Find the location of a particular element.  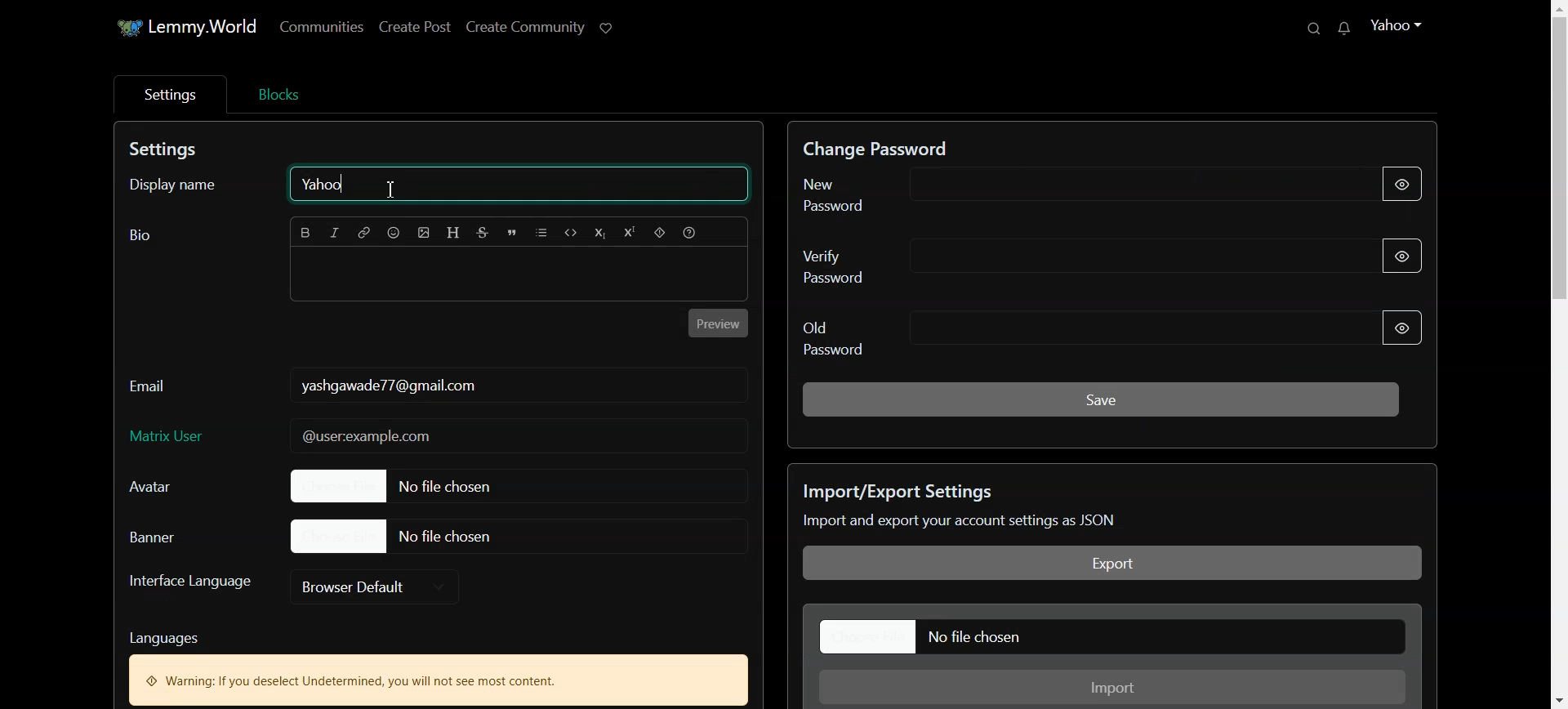

Hide Password is located at coordinates (1414, 255).